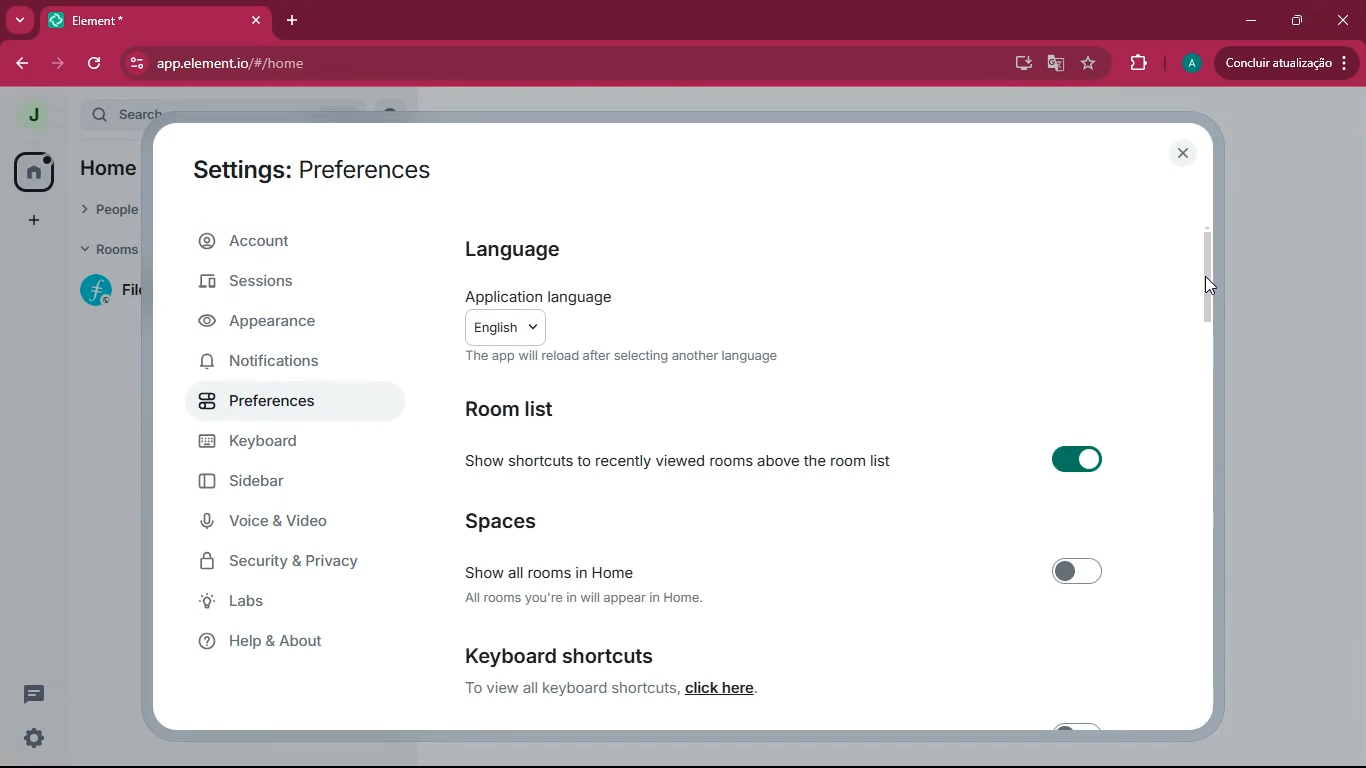 Image resolution: width=1366 pixels, height=768 pixels. Describe the element at coordinates (32, 740) in the screenshot. I see `quick settings` at that location.